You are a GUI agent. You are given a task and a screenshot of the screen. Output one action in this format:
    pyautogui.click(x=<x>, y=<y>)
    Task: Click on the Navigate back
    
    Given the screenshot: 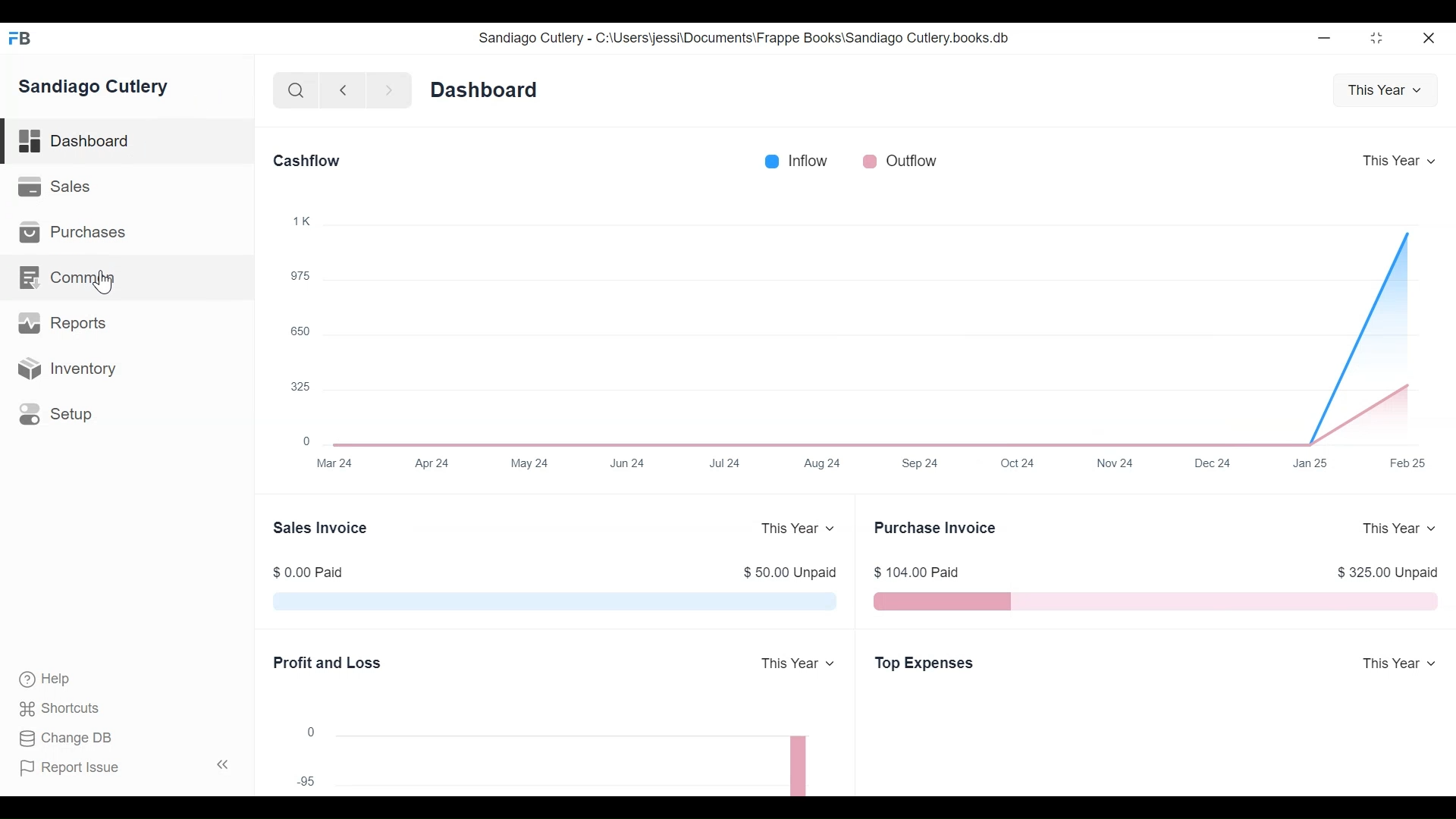 What is the action you would take?
    pyautogui.click(x=341, y=91)
    